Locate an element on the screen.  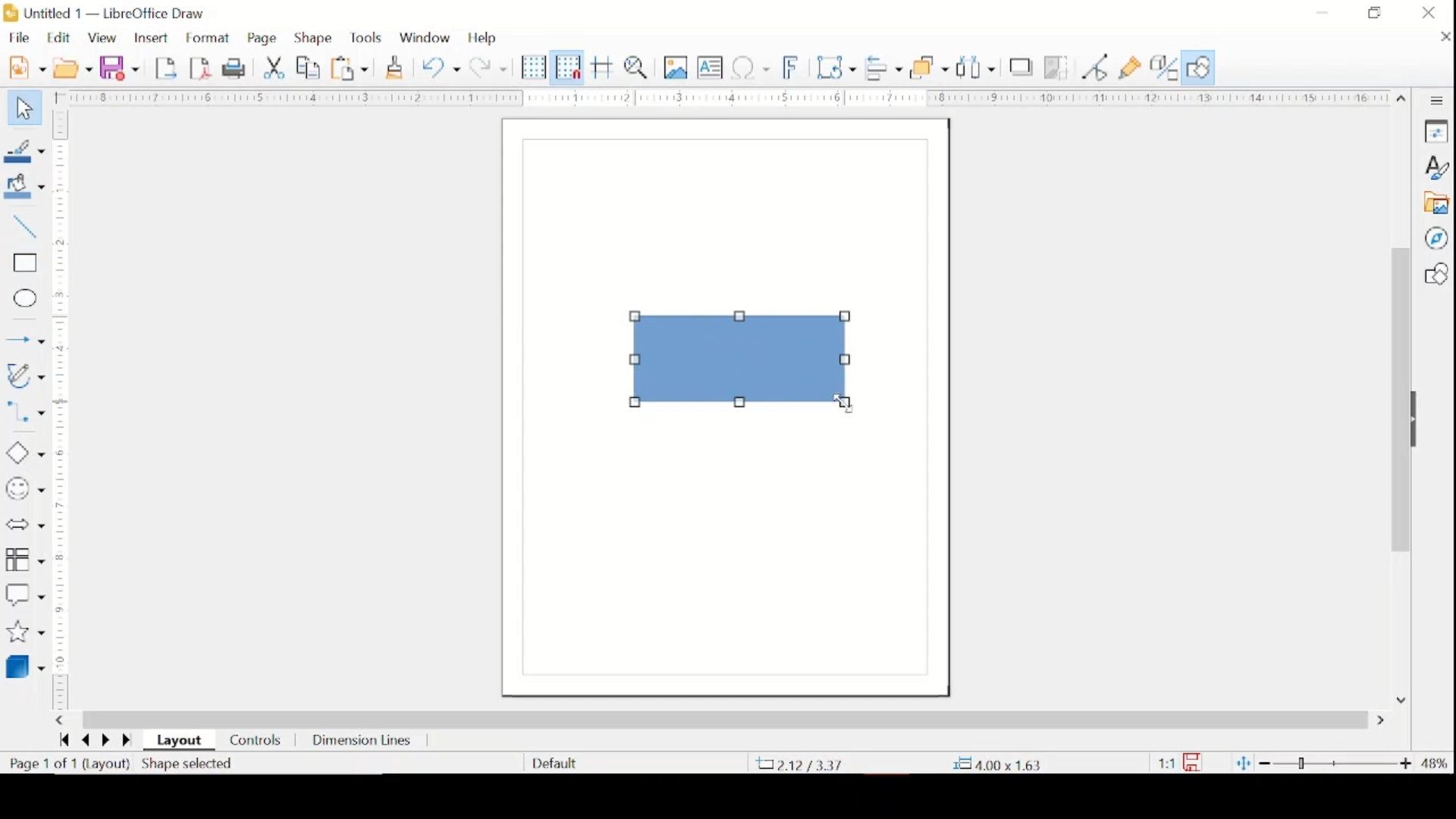
drag handle is located at coordinates (1420, 420).